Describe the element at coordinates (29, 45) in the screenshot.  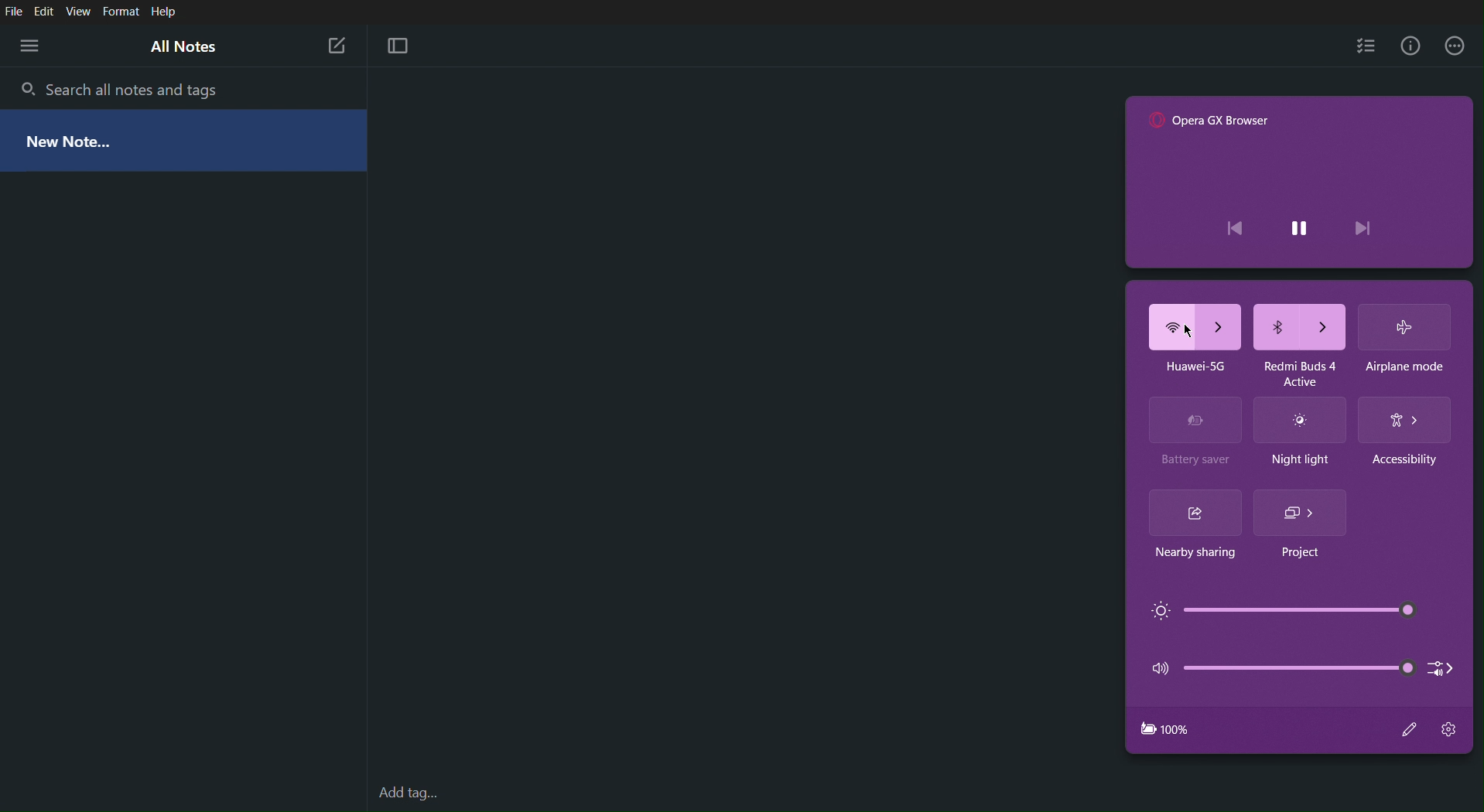
I see `More` at that location.